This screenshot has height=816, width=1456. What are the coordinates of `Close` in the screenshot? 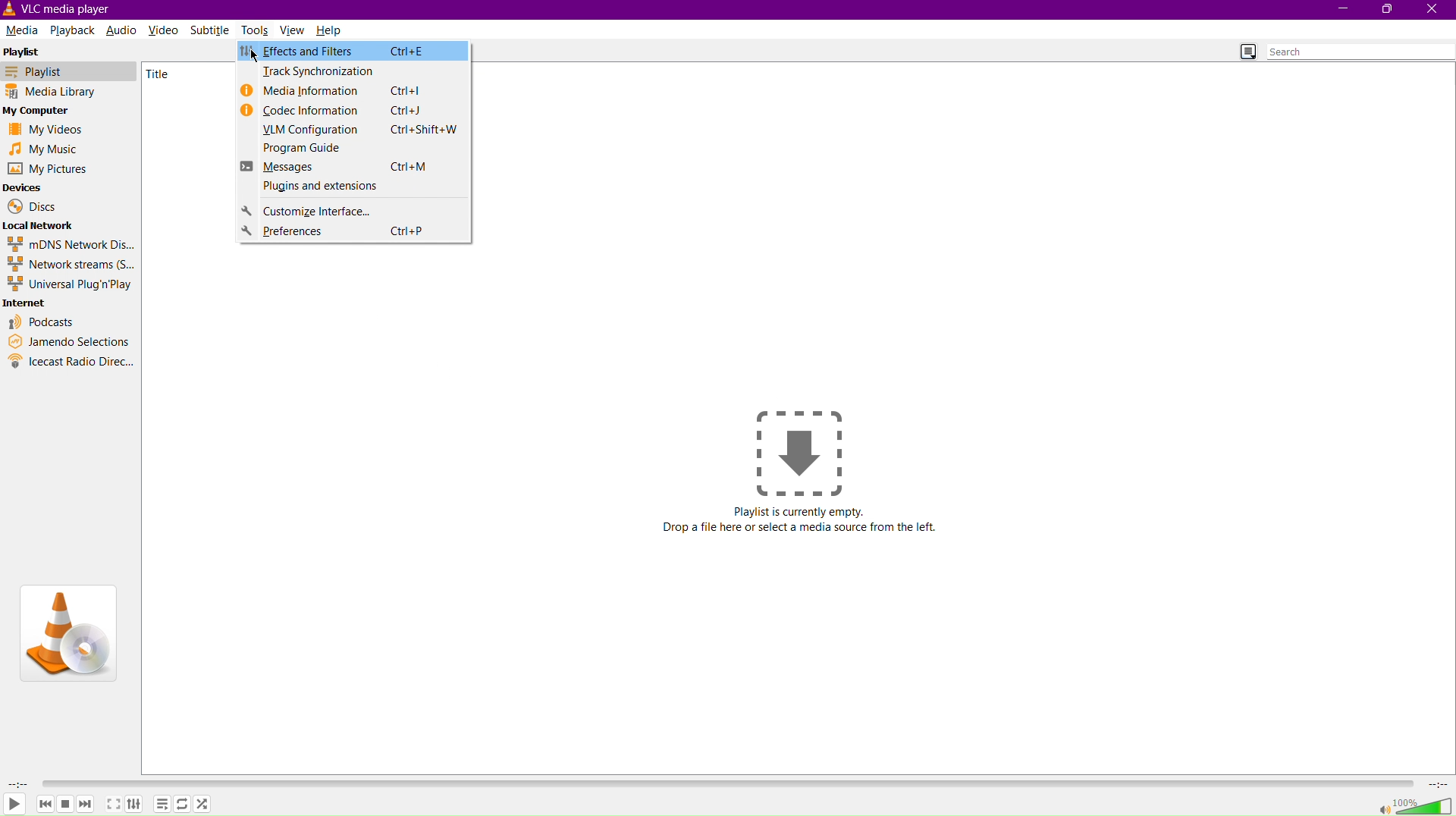 It's located at (1436, 11).